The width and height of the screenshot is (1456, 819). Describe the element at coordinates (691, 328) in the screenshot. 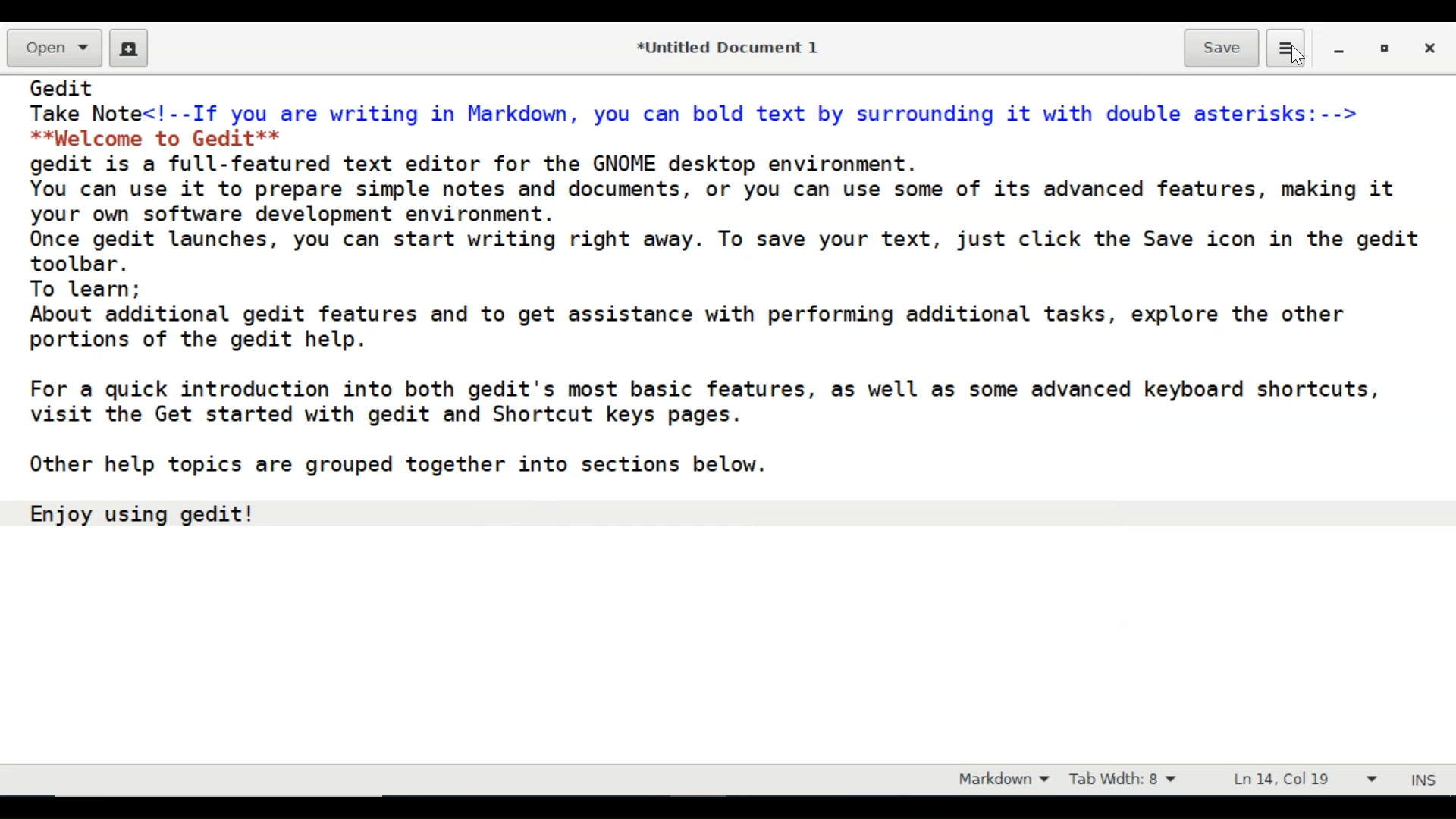

I see `About additional gedit features and to get assistance with performing additional tasks, explore the other
portions of the gedit help.` at that location.